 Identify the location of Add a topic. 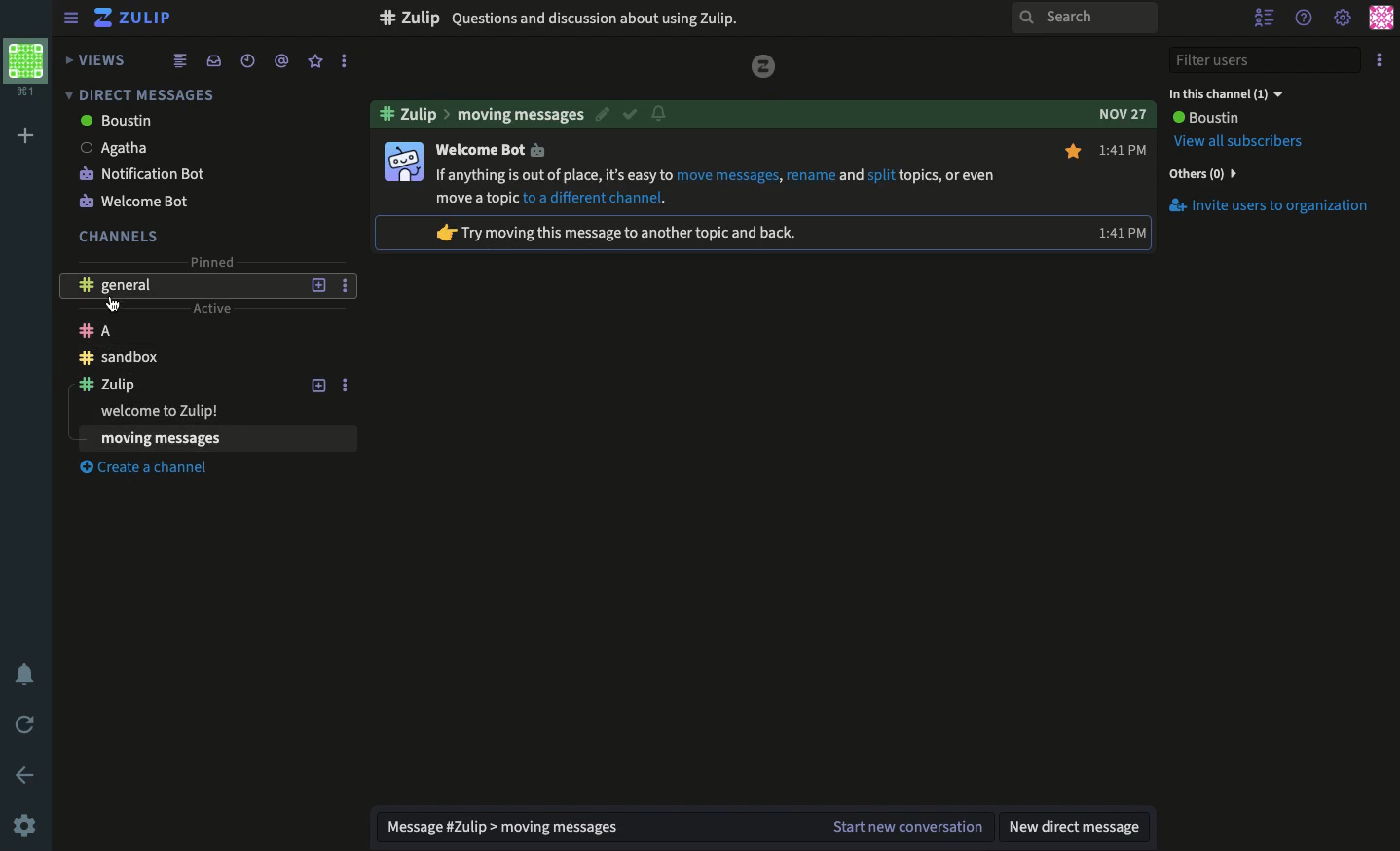
(317, 284).